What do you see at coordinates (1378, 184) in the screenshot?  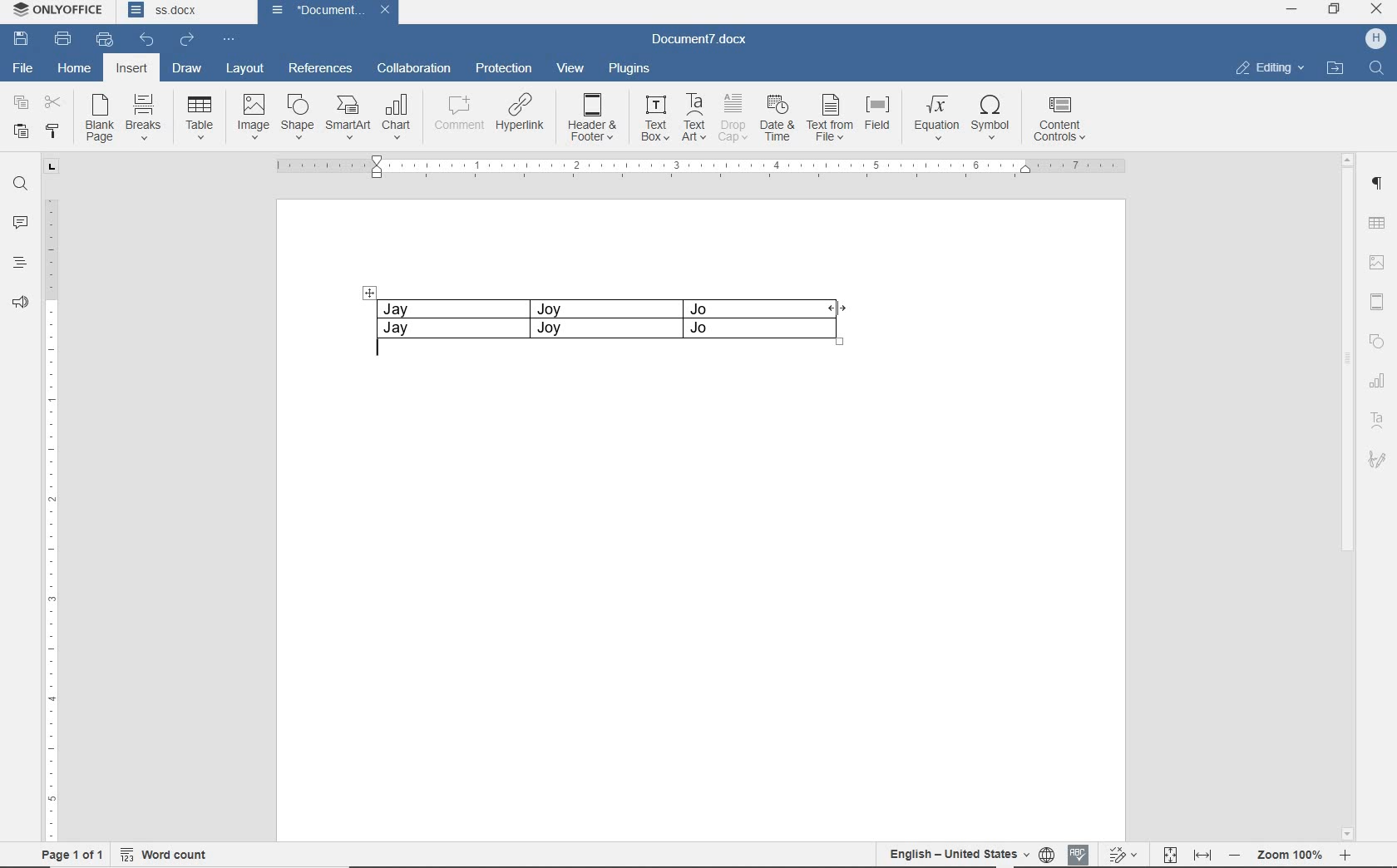 I see `PARAGRAPH SETTINGS` at bounding box center [1378, 184].